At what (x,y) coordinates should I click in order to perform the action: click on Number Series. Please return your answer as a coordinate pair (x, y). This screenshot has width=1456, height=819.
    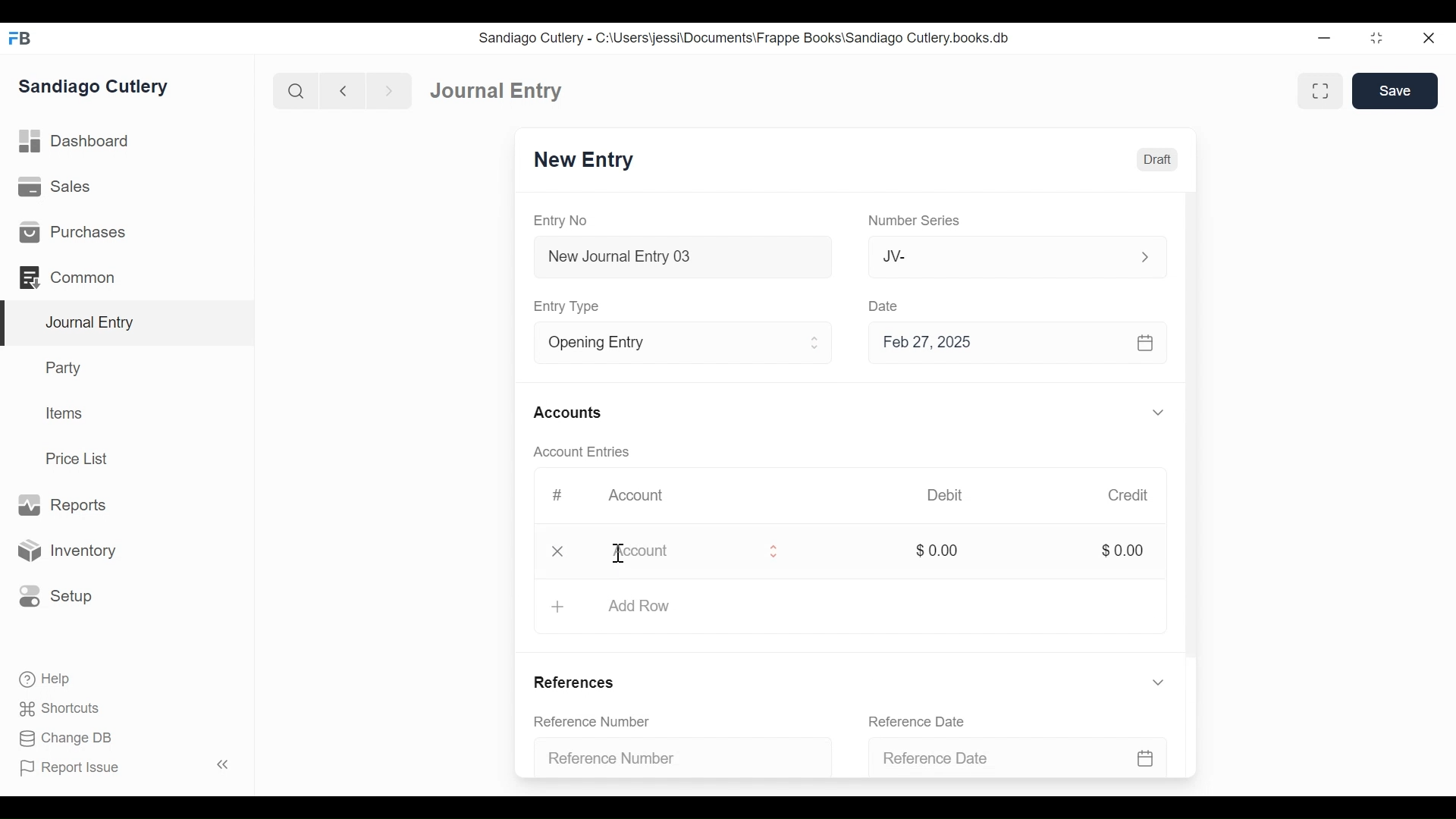
    Looking at the image, I should click on (912, 221).